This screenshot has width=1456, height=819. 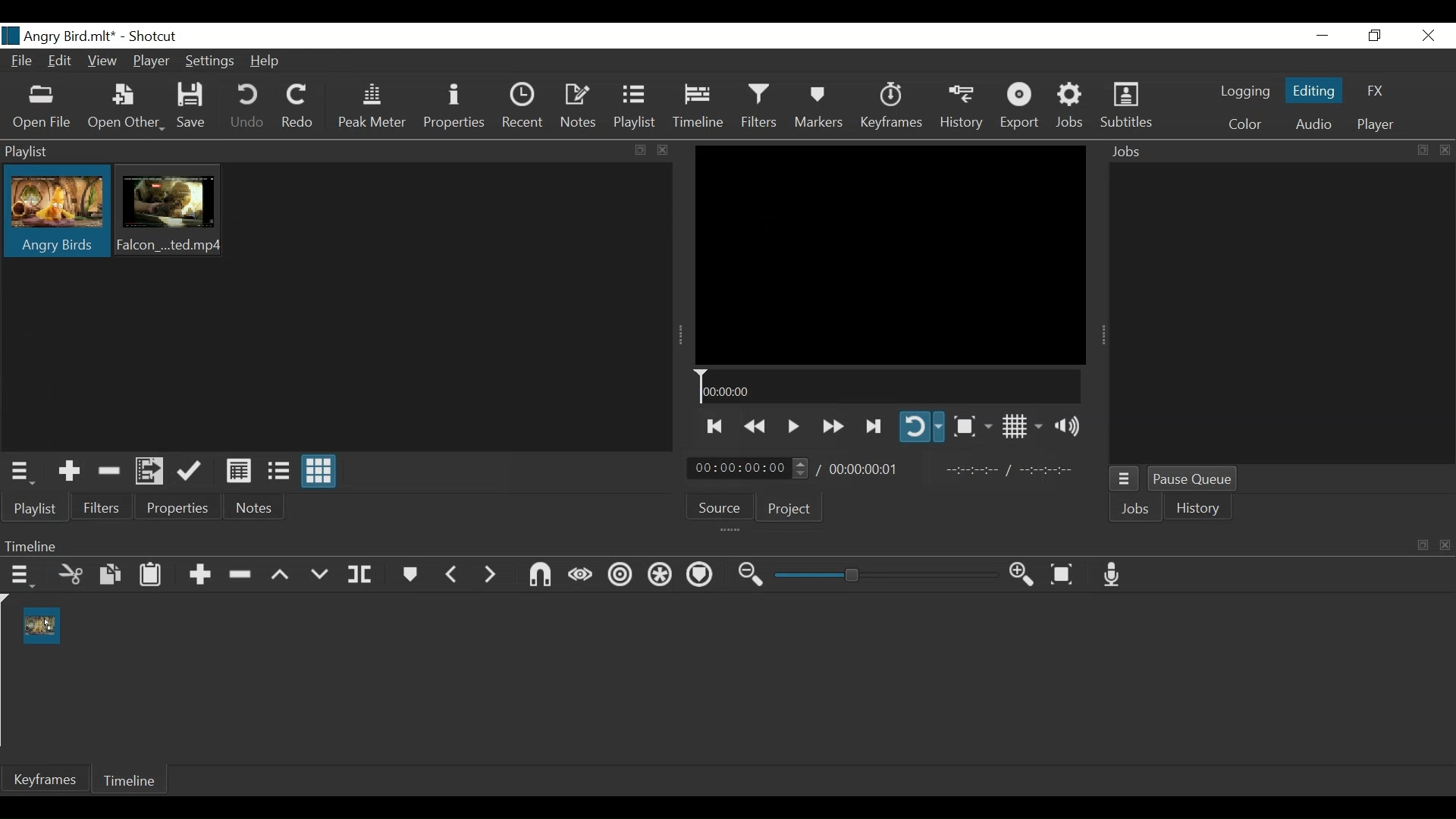 I want to click on Toggle play or pause, so click(x=794, y=424).